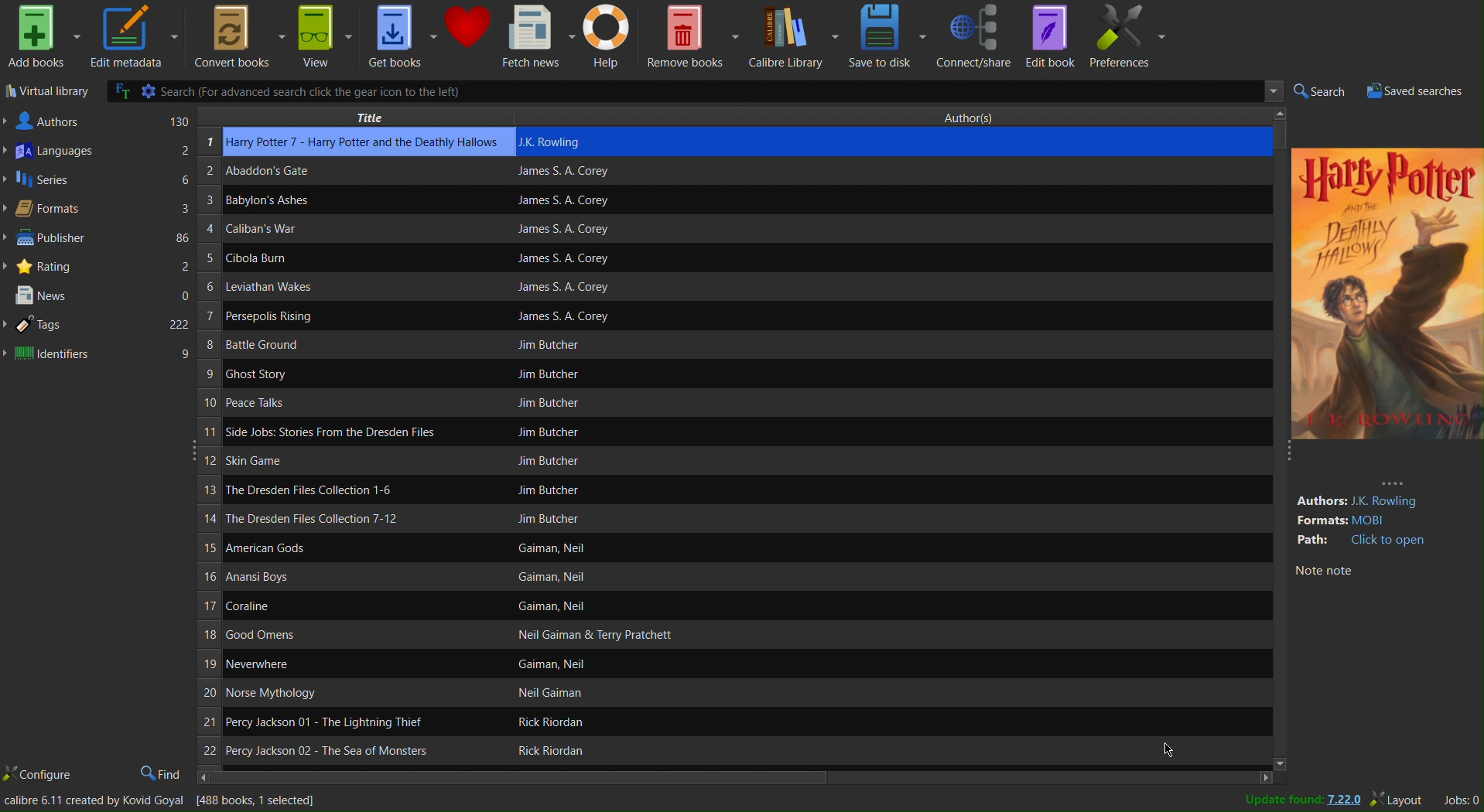  Describe the element at coordinates (133, 35) in the screenshot. I see `Edit metadata` at that location.